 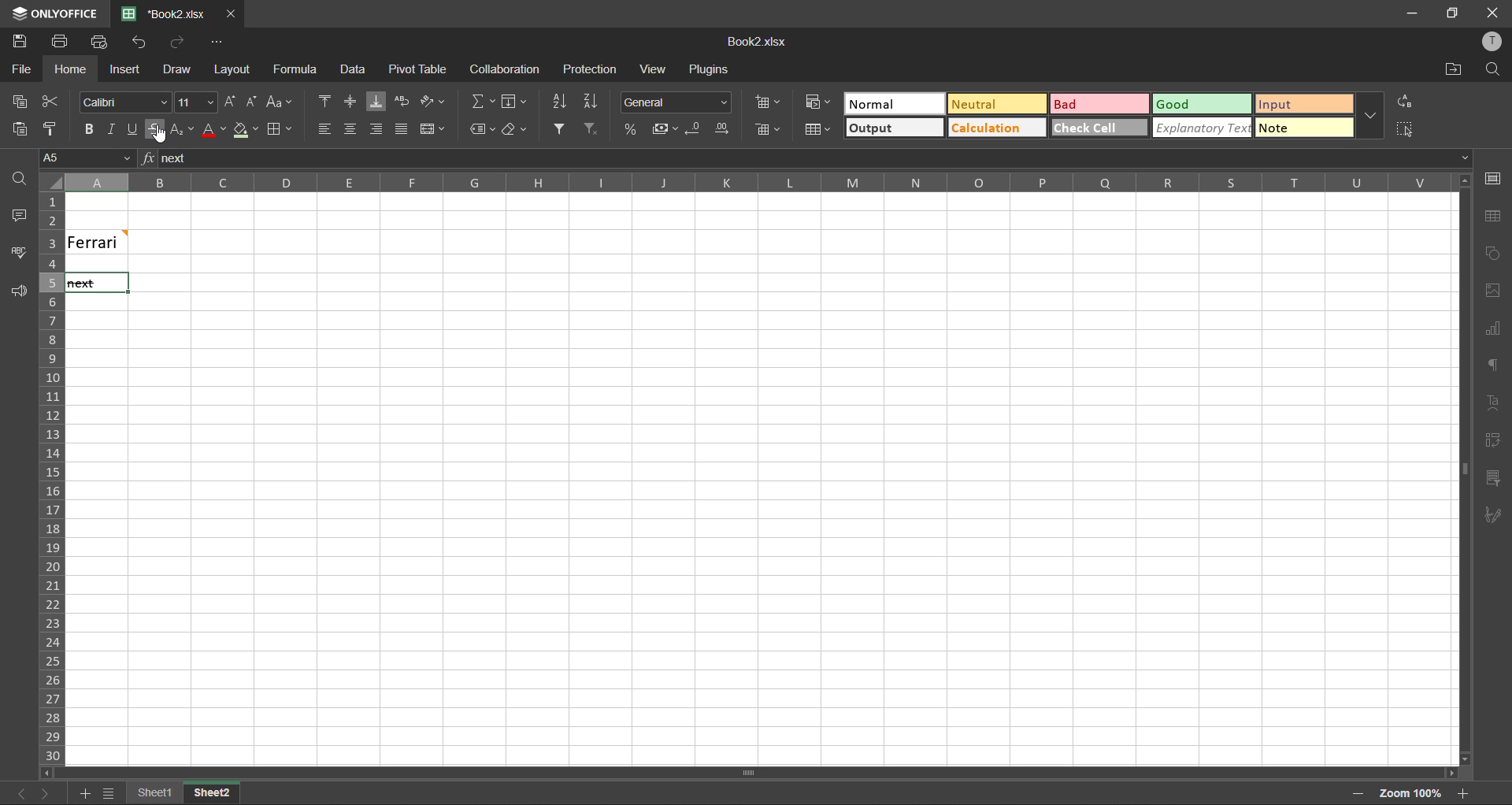 I want to click on Scrollbar, so click(x=748, y=773).